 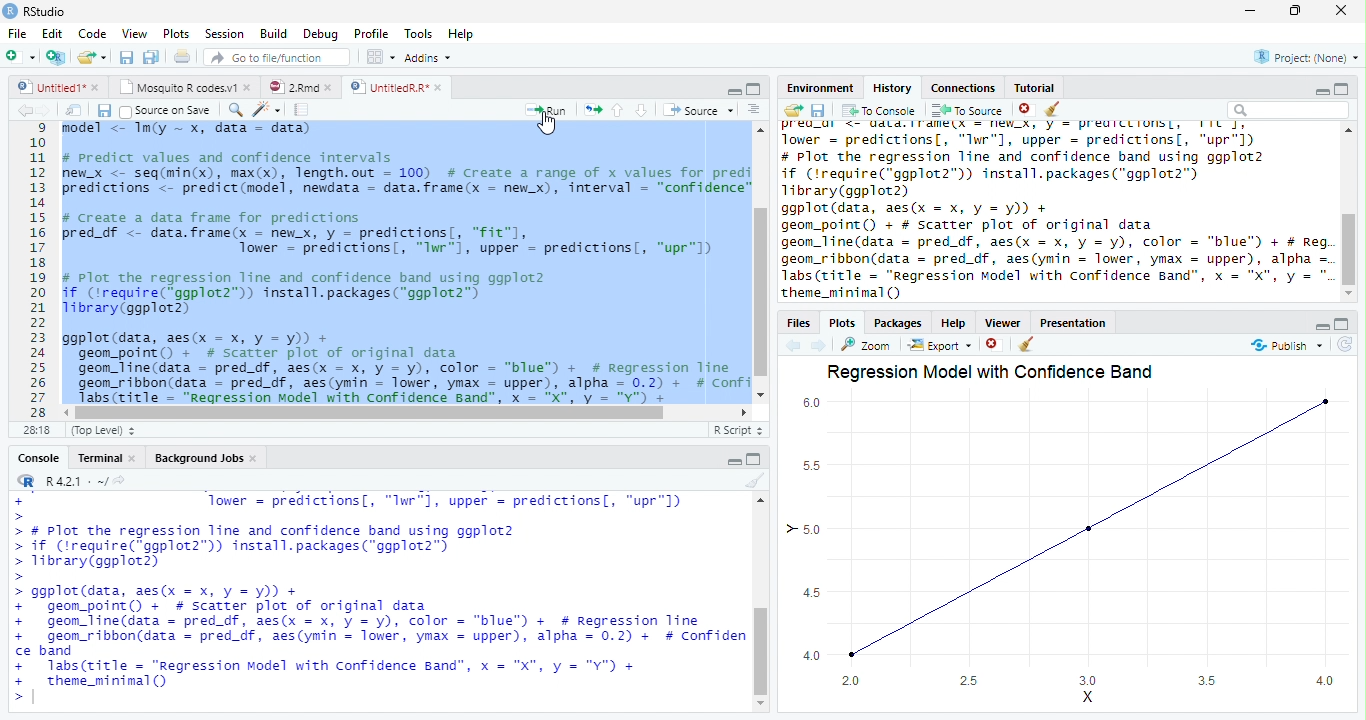 I want to click on Source on save, so click(x=166, y=110).